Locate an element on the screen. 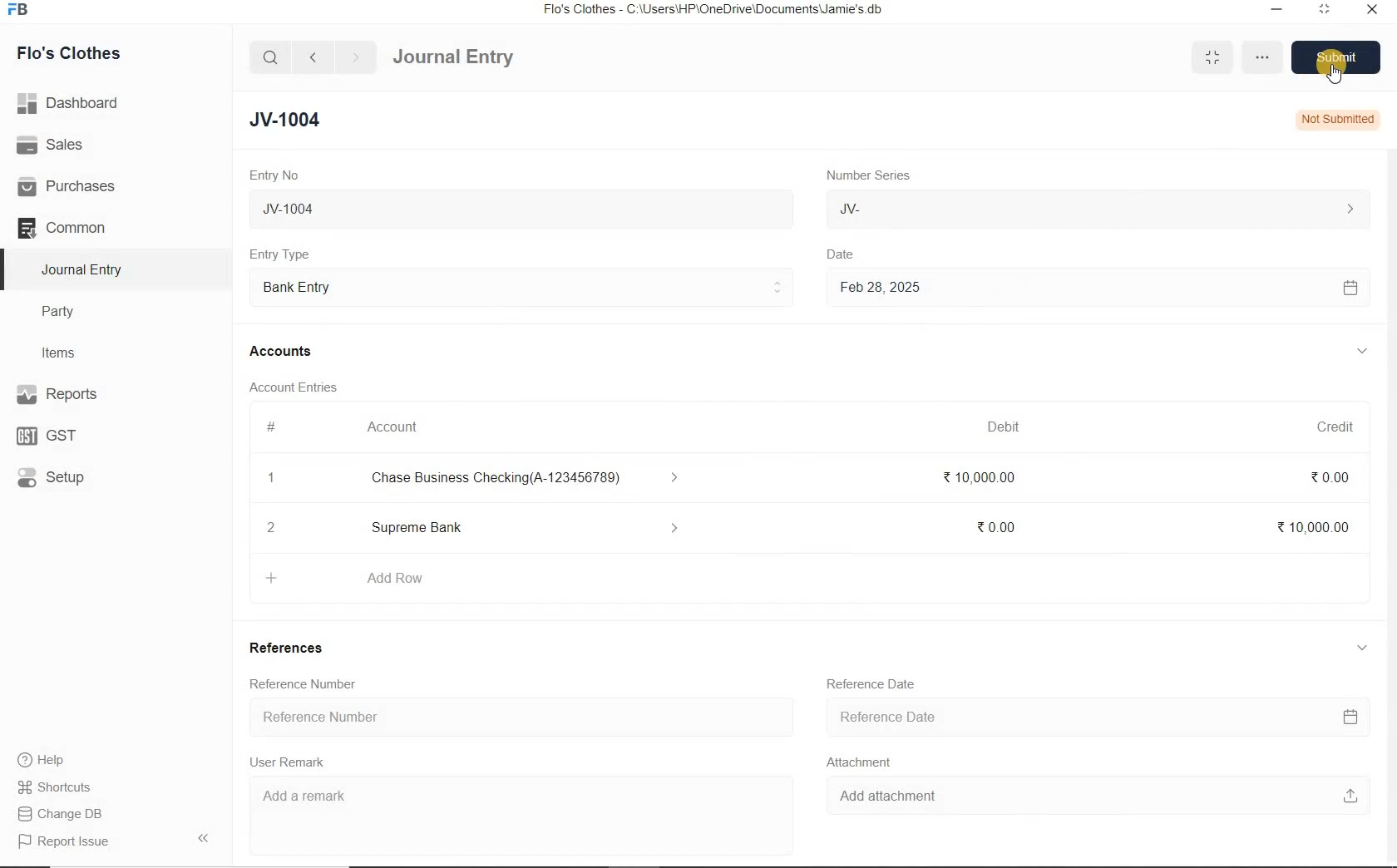  Reference Date is located at coordinates (1103, 718).